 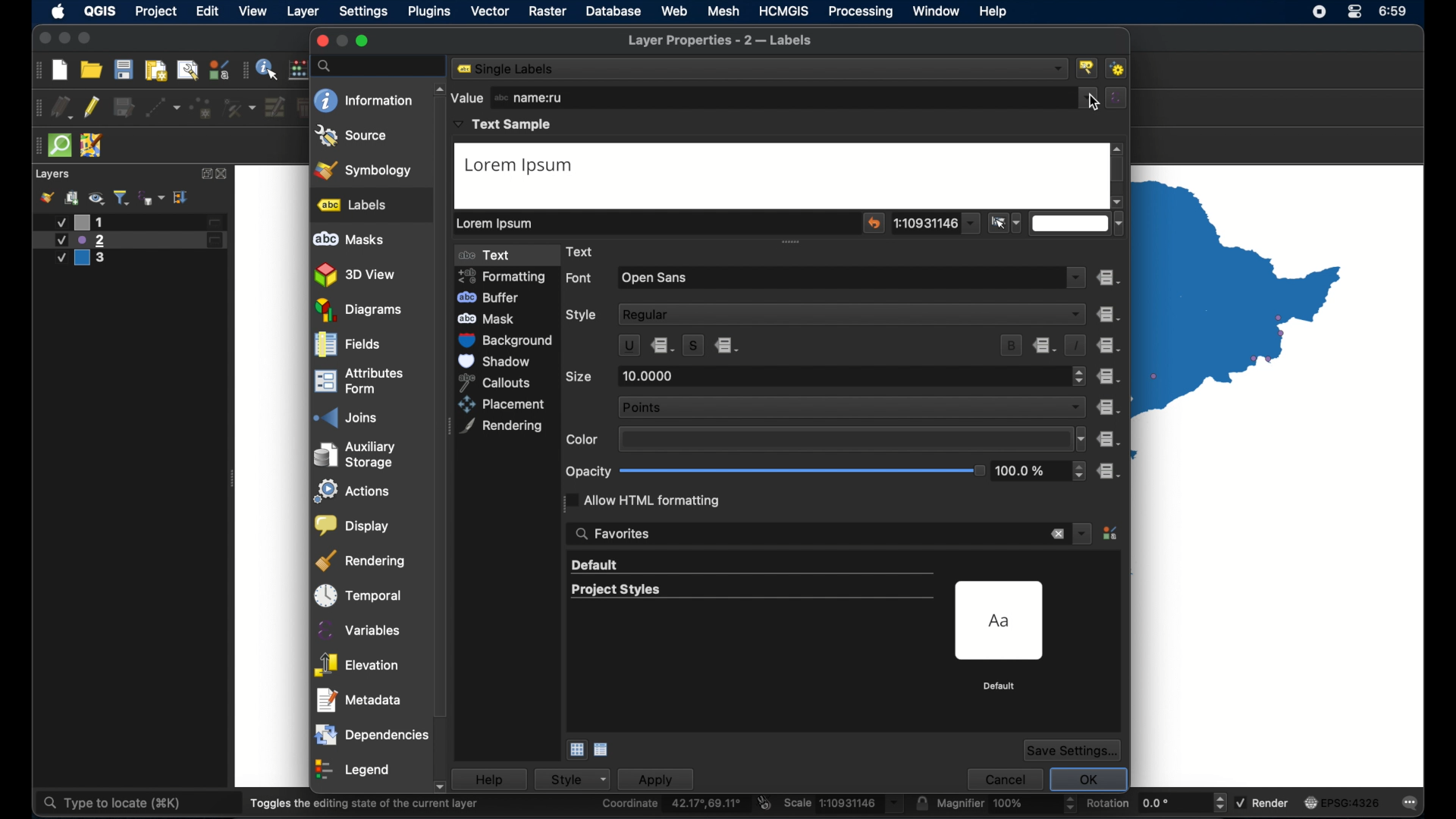 I want to click on default, so click(x=1000, y=686).